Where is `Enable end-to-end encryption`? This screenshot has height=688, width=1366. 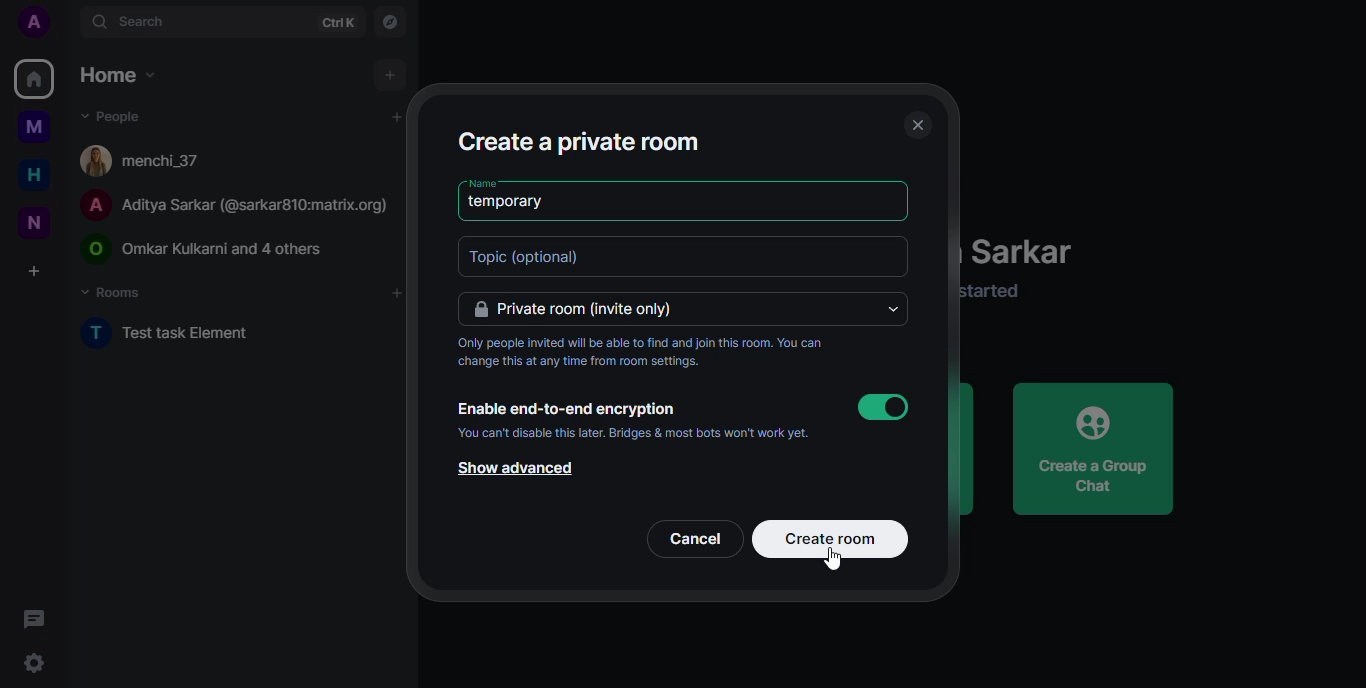
Enable end-to-end encryption is located at coordinates (568, 406).